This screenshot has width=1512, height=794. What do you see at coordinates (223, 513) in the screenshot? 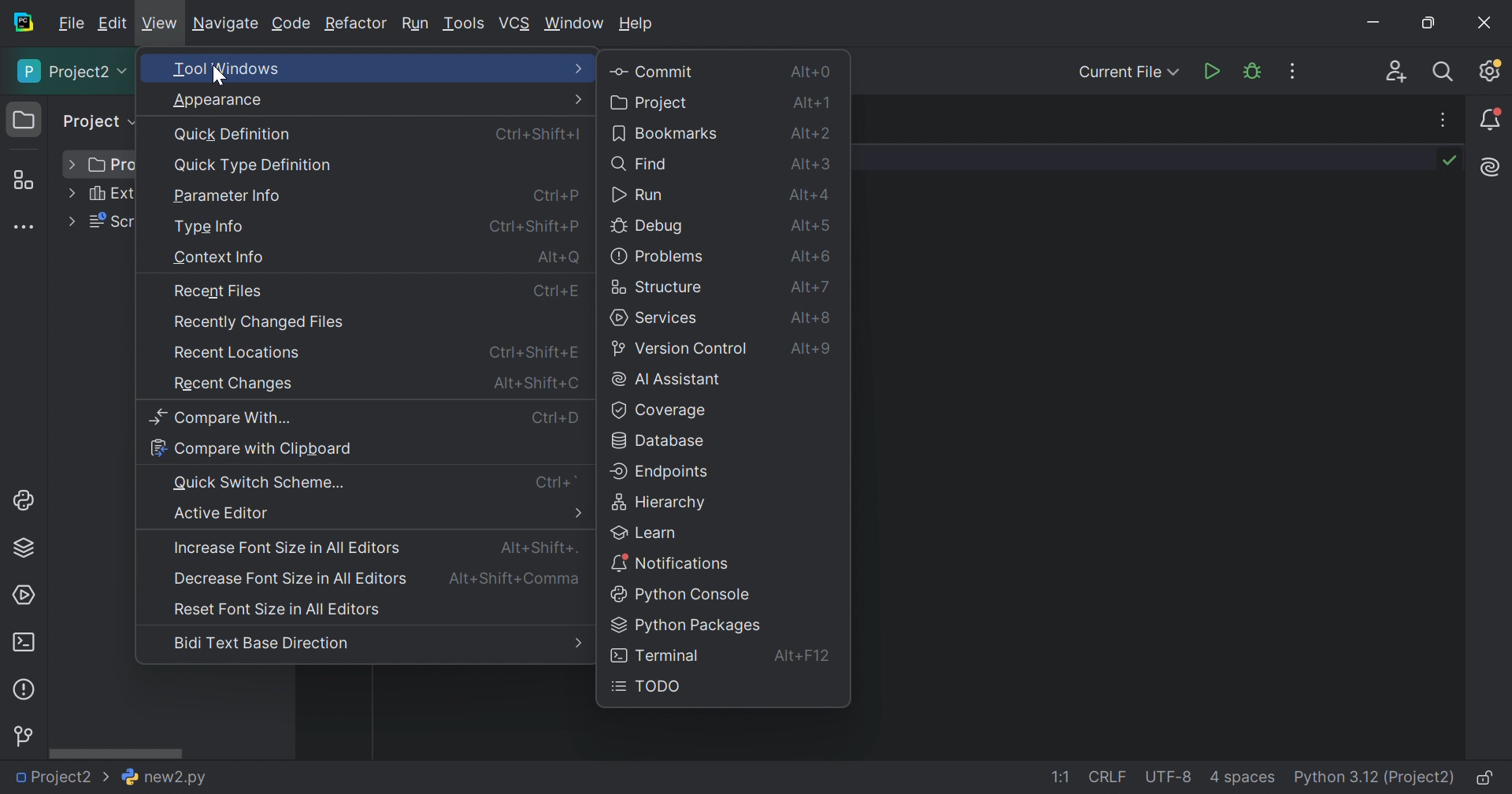
I see `Active editors` at bounding box center [223, 513].